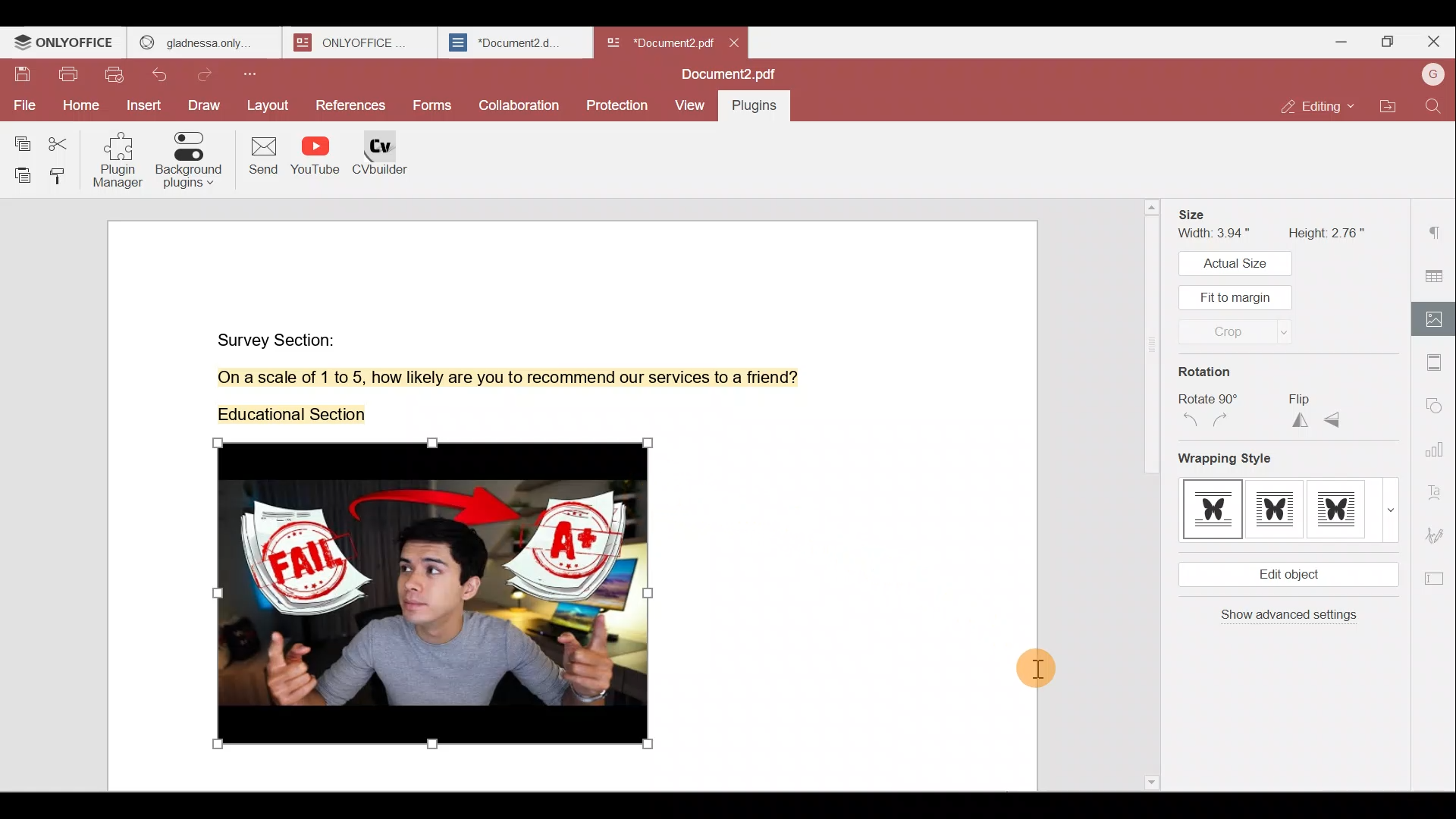  I want to click on Plugin manager, so click(121, 165).